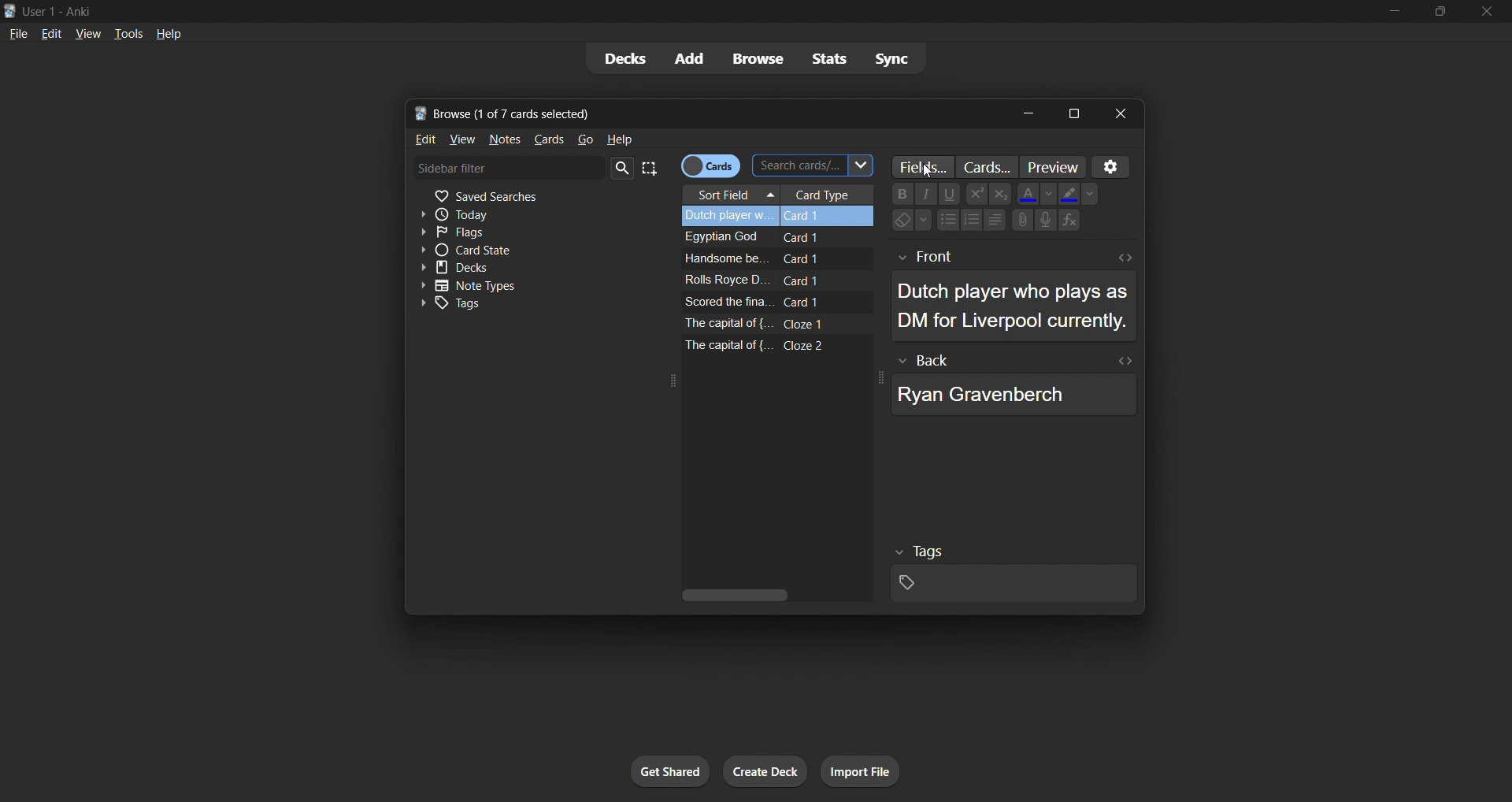 Image resolution: width=1512 pixels, height=802 pixels. I want to click on Bullet points, so click(948, 221).